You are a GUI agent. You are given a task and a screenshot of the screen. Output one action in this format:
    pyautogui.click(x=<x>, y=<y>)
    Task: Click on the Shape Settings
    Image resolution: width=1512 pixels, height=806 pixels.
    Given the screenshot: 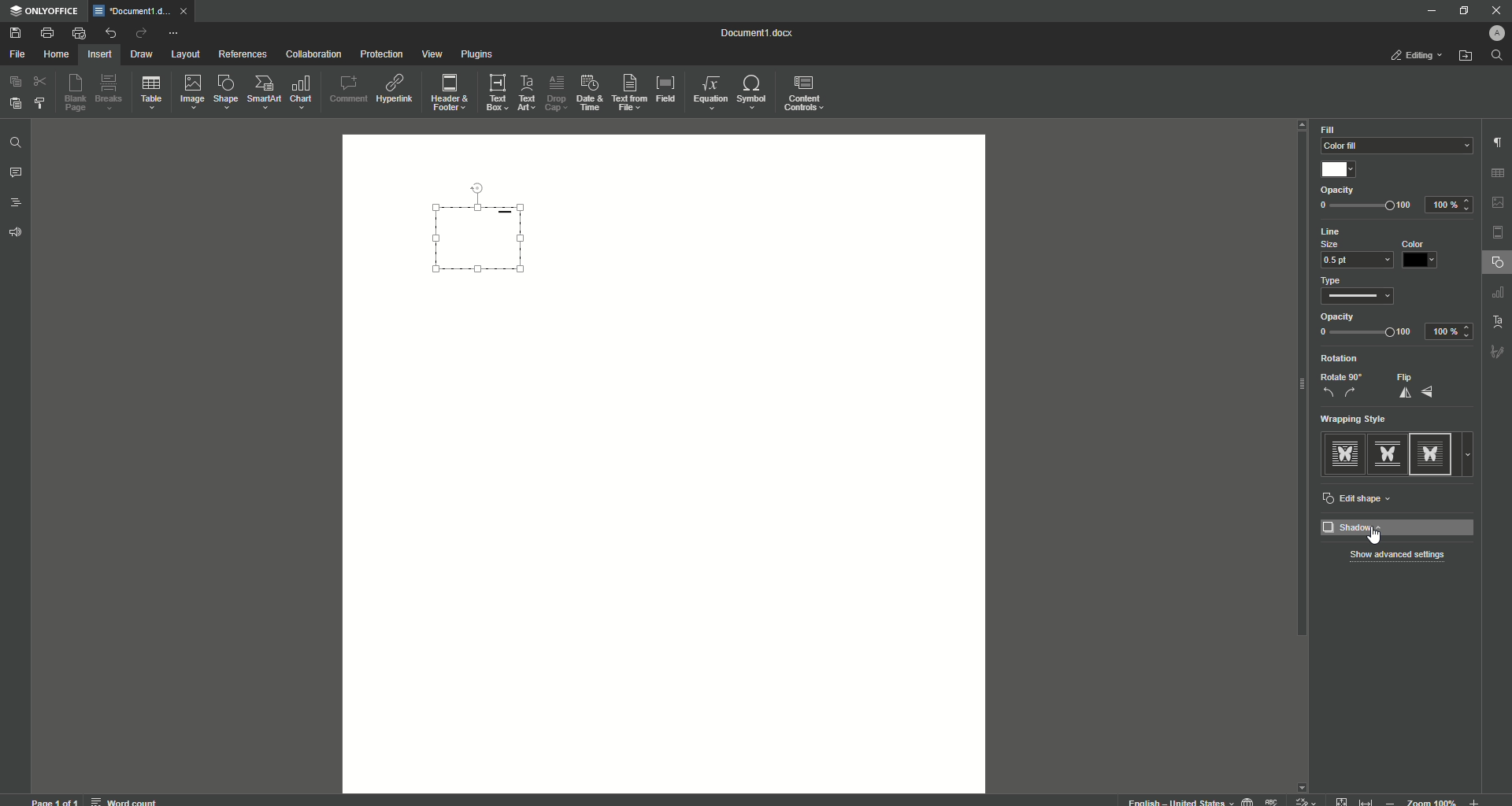 What is the action you would take?
    pyautogui.click(x=1497, y=263)
    